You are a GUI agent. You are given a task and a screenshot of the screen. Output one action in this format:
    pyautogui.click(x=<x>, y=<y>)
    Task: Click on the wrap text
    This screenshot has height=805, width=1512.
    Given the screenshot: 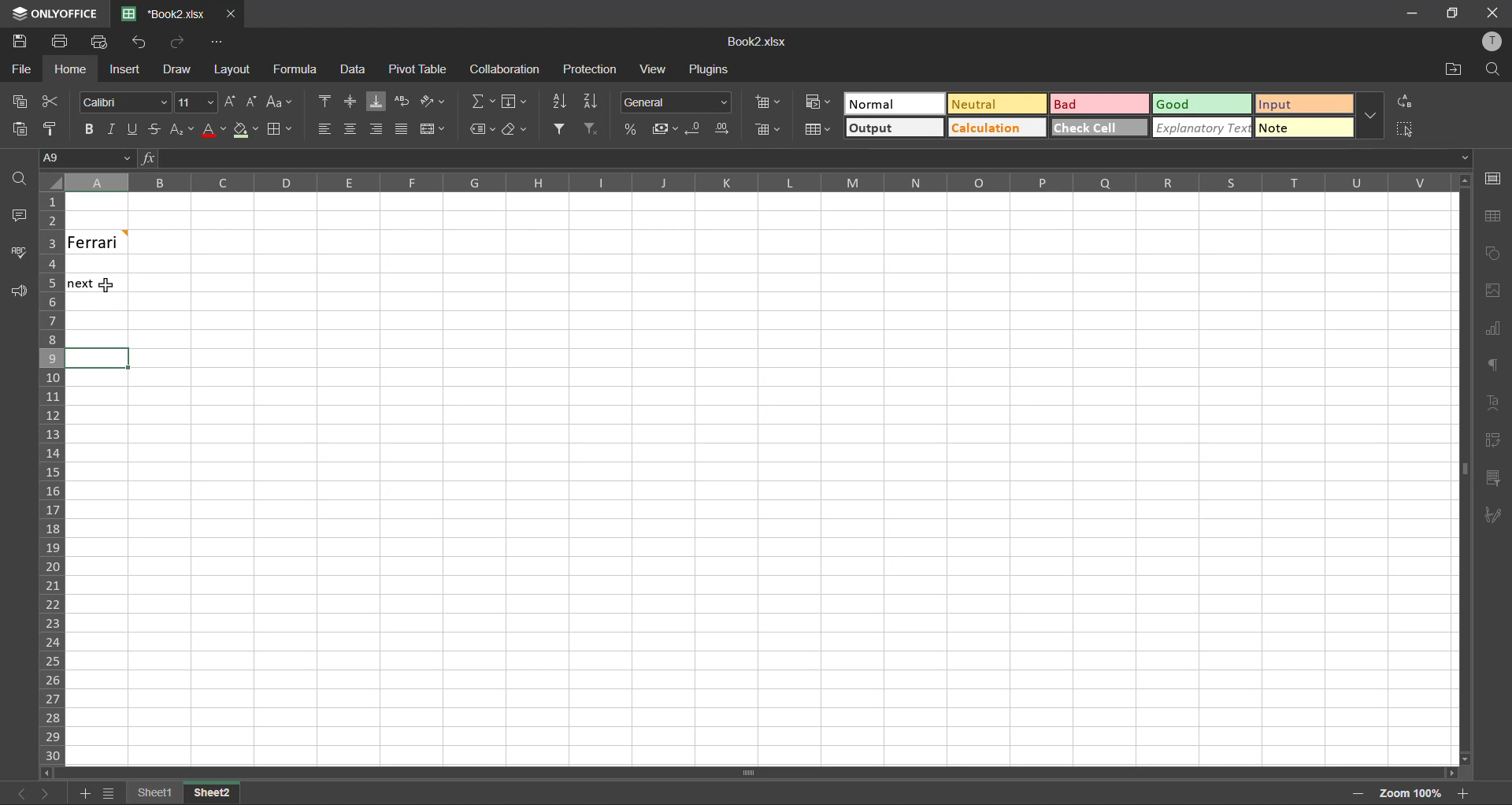 What is the action you would take?
    pyautogui.click(x=404, y=101)
    